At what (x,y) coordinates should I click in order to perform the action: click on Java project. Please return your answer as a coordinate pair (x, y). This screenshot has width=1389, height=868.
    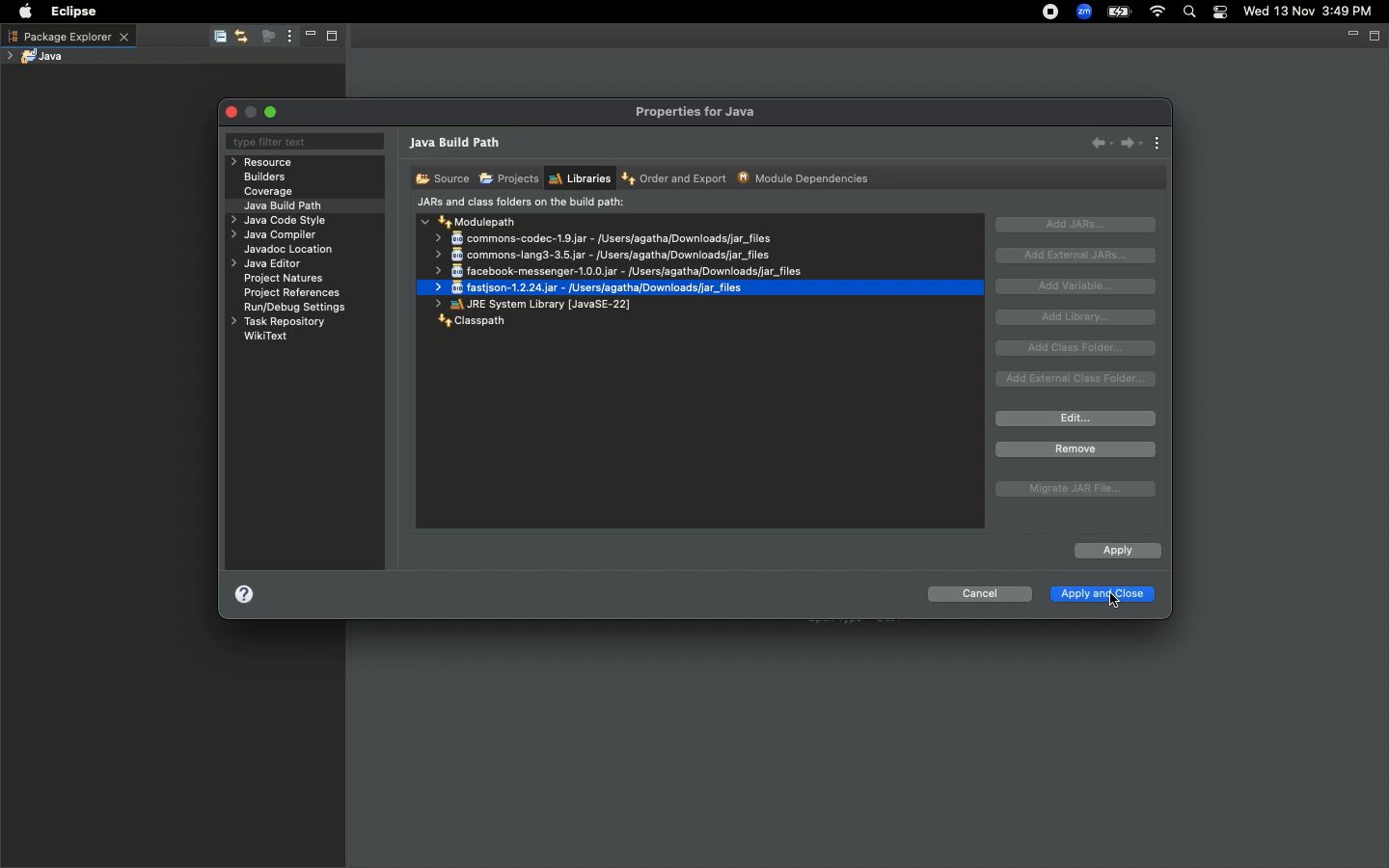
    Looking at the image, I should click on (40, 56).